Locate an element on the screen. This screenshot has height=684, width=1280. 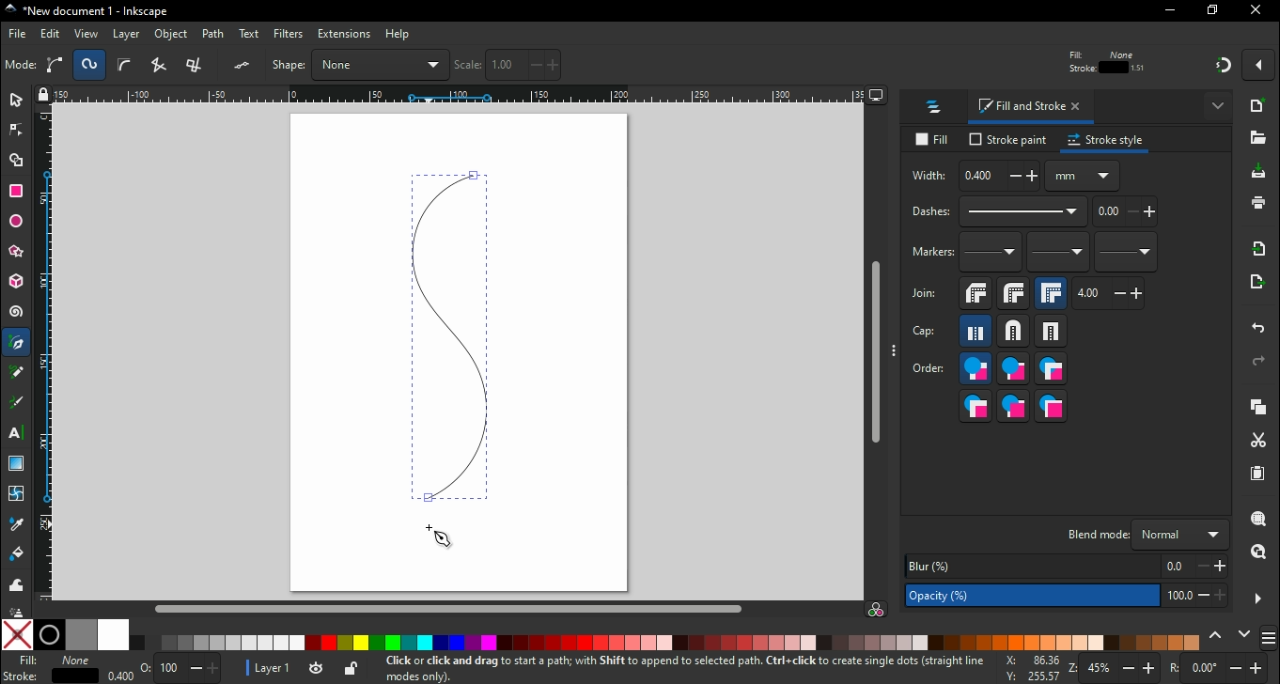
shape builder tool is located at coordinates (19, 162).